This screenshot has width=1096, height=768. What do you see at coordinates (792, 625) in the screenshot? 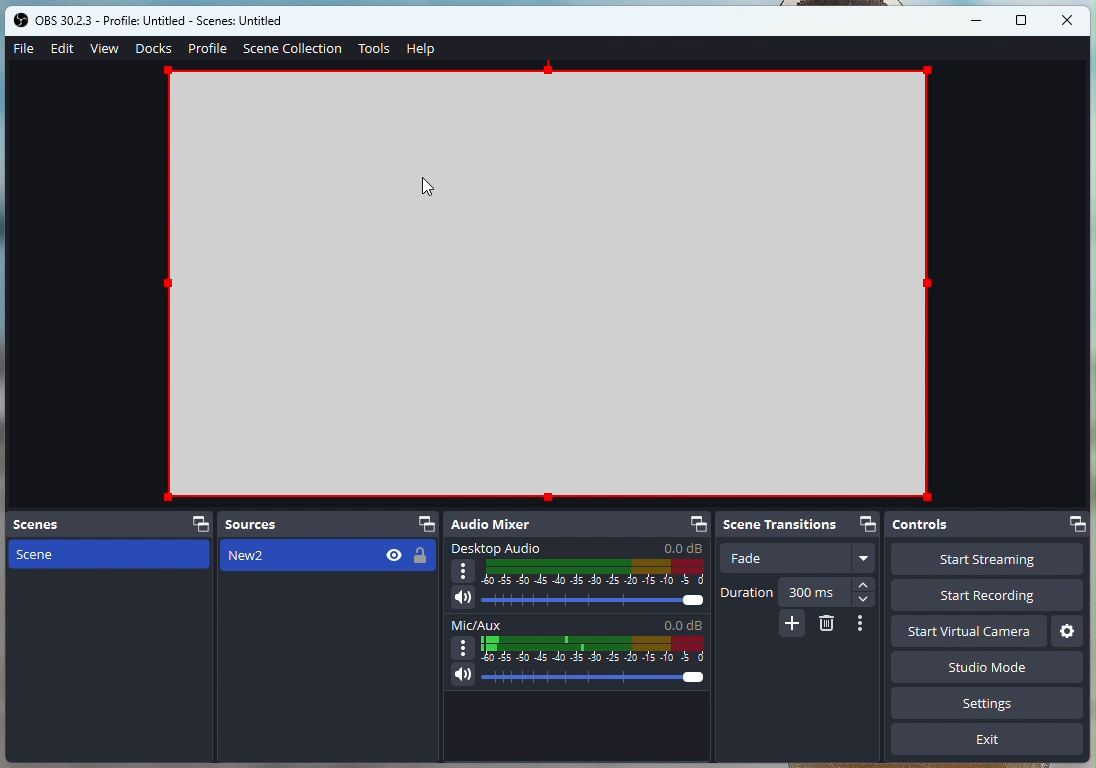
I see `Added` at bounding box center [792, 625].